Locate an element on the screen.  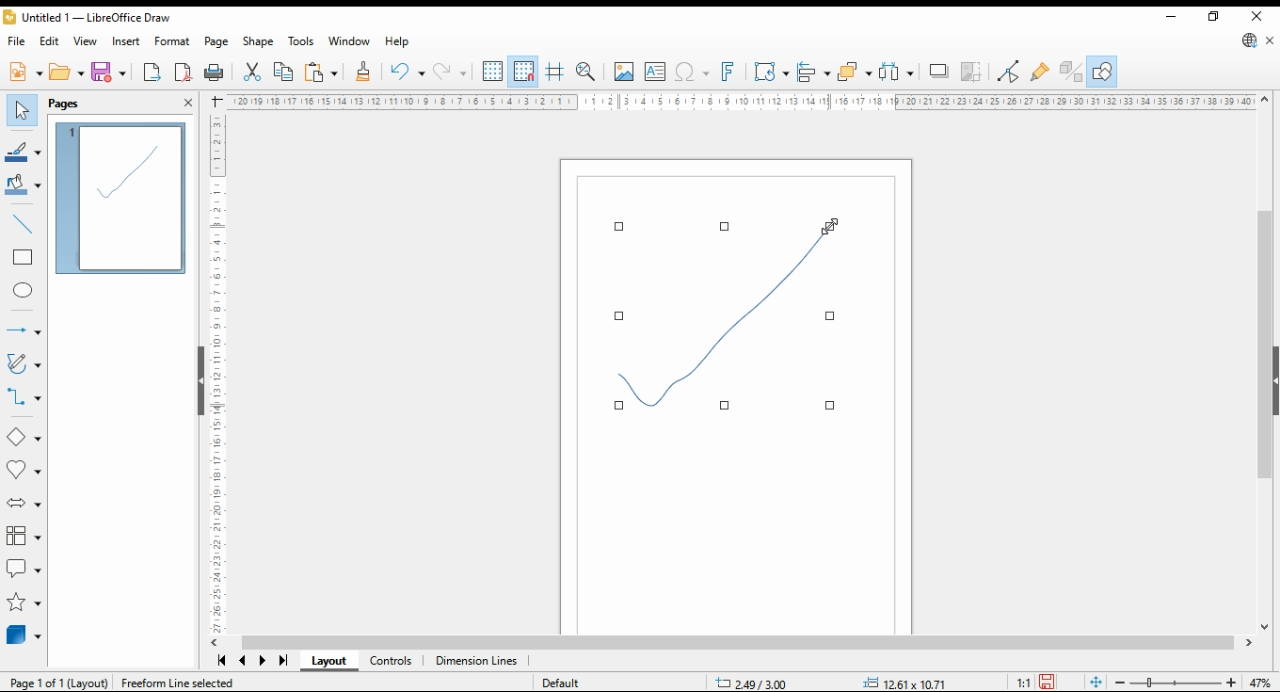
zoom factor is located at coordinates (1260, 683).